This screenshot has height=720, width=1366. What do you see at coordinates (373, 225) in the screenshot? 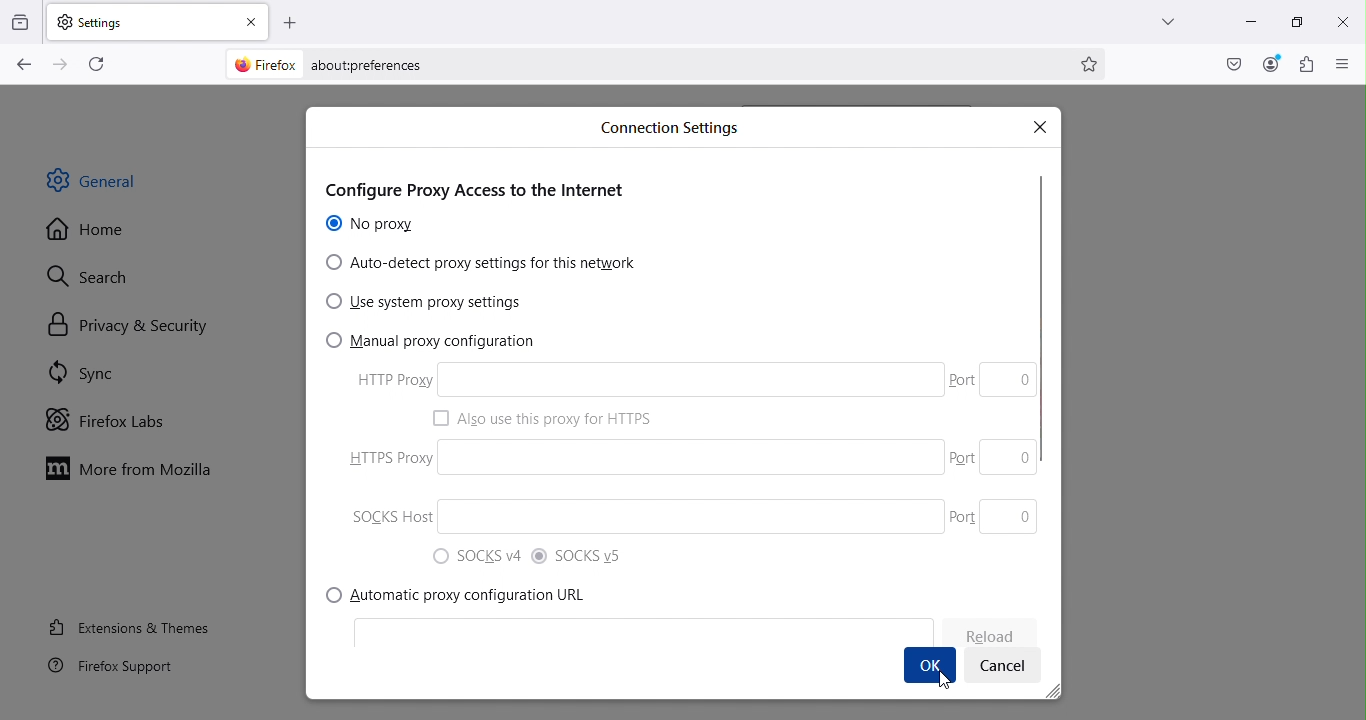
I see `No proxy` at bounding box center [373, 225].